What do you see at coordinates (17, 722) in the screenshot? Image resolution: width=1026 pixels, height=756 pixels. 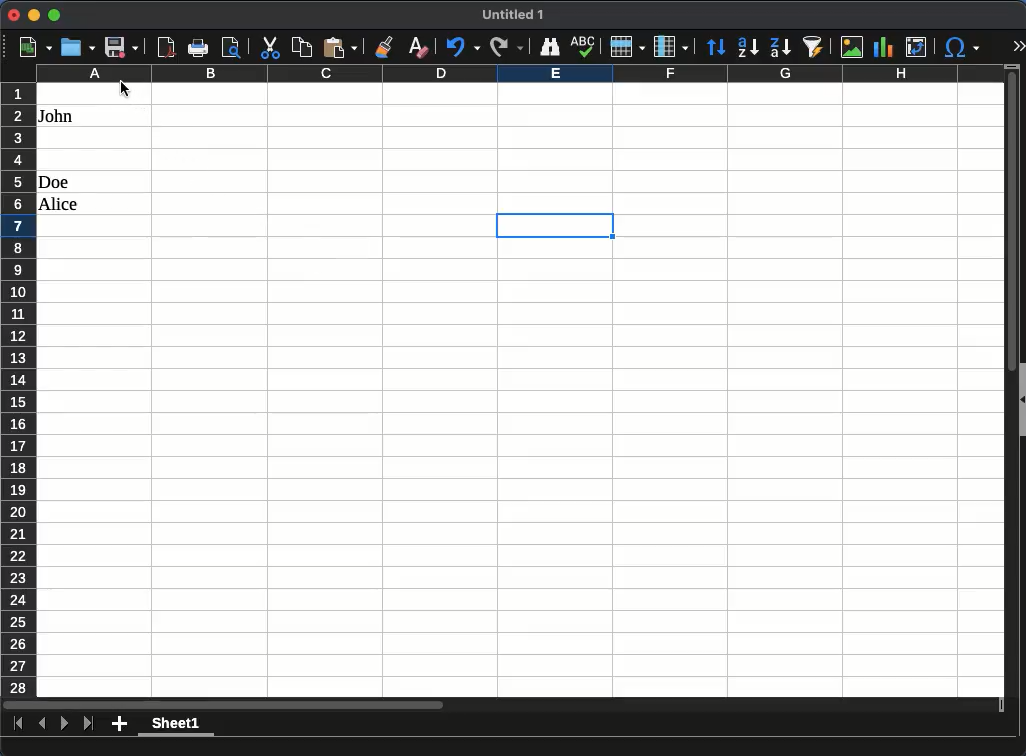 I see `first sheet` at bounding box center [17, 722].